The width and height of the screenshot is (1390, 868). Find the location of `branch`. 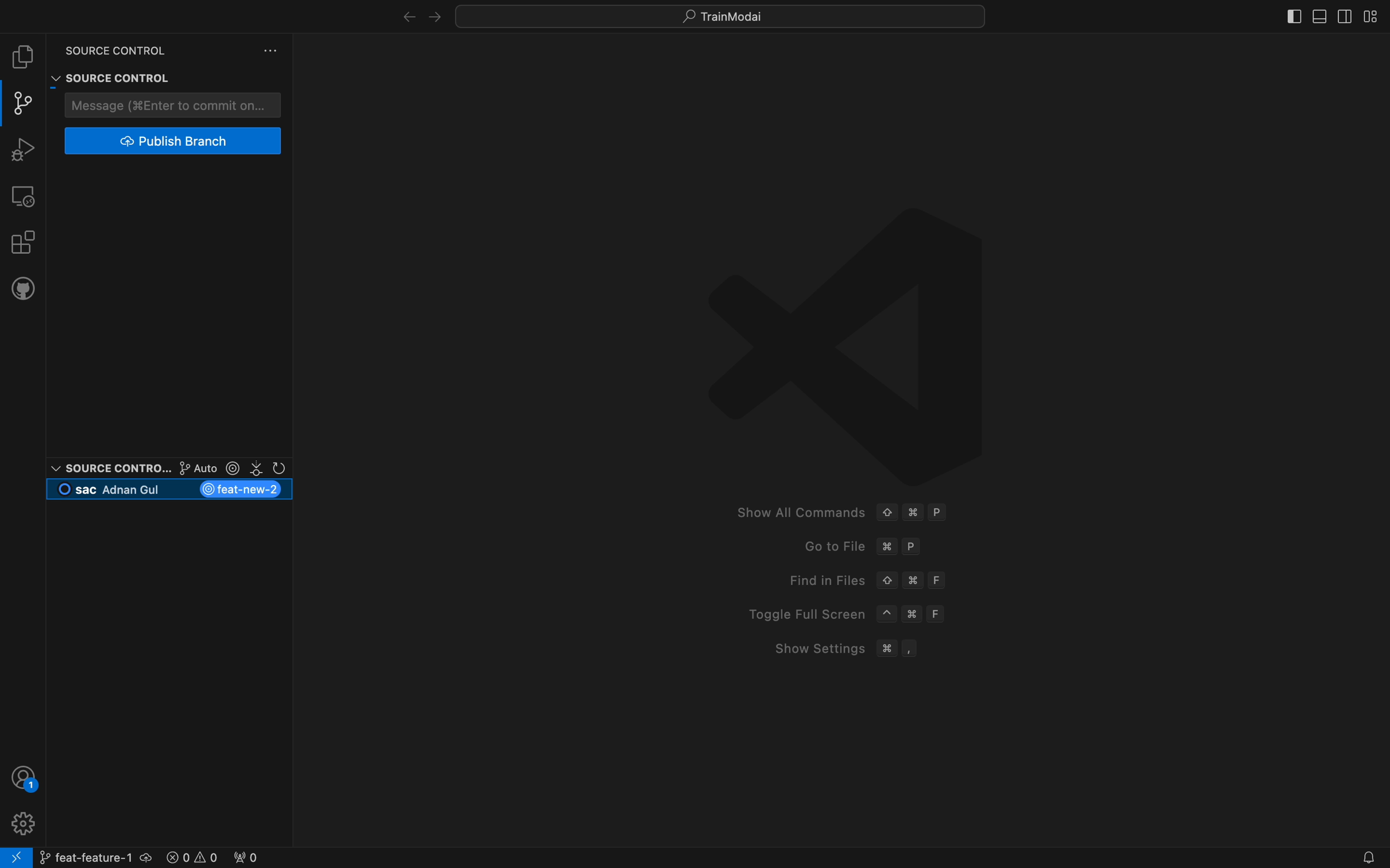

branch is located at coordinates (94, 855).